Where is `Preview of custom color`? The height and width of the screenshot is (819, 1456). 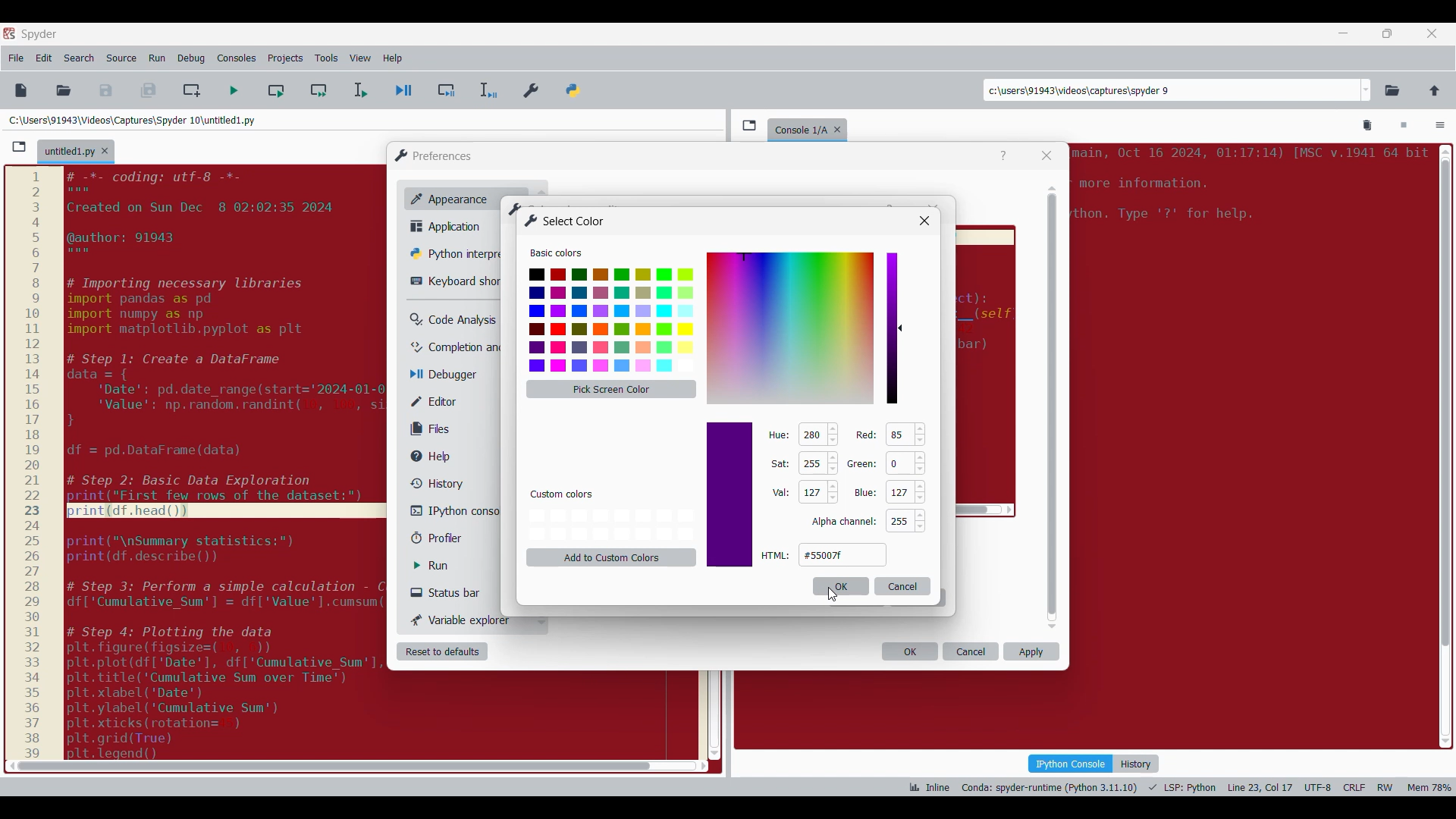
Preview of custom color is located at coordinates (730, 494).